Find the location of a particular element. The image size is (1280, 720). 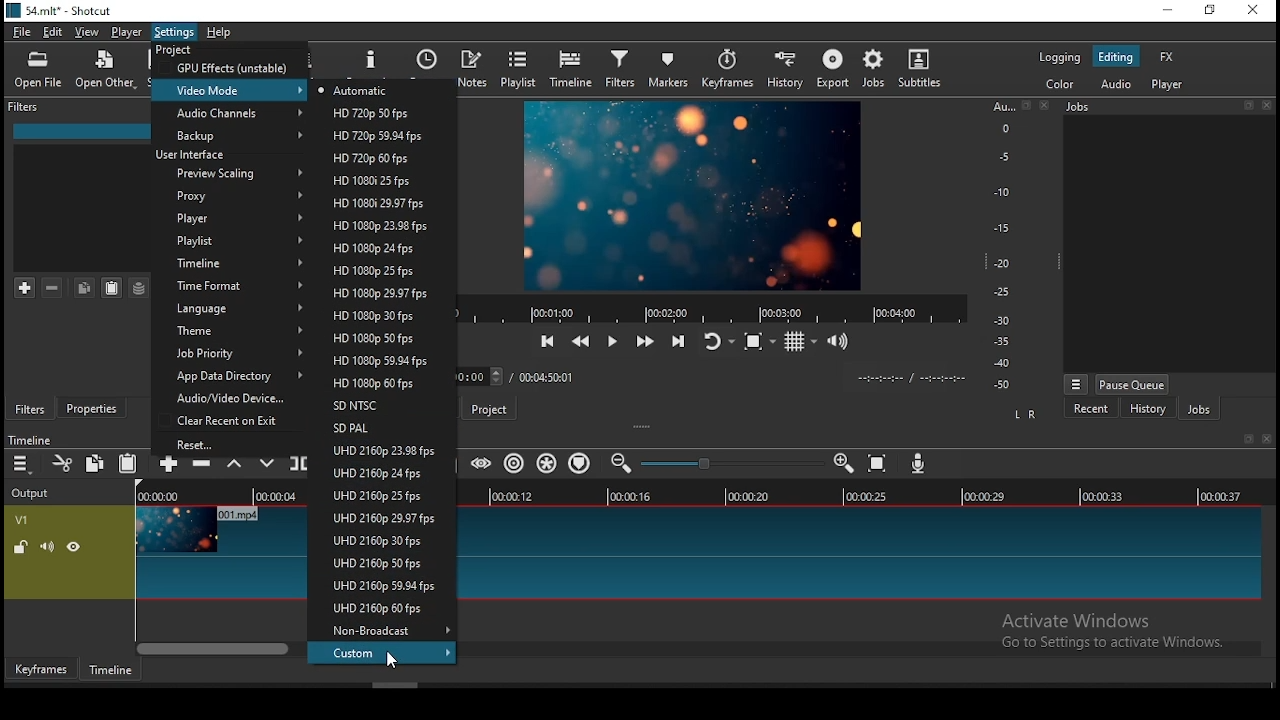

timeline is located at coordinates (29, 440).